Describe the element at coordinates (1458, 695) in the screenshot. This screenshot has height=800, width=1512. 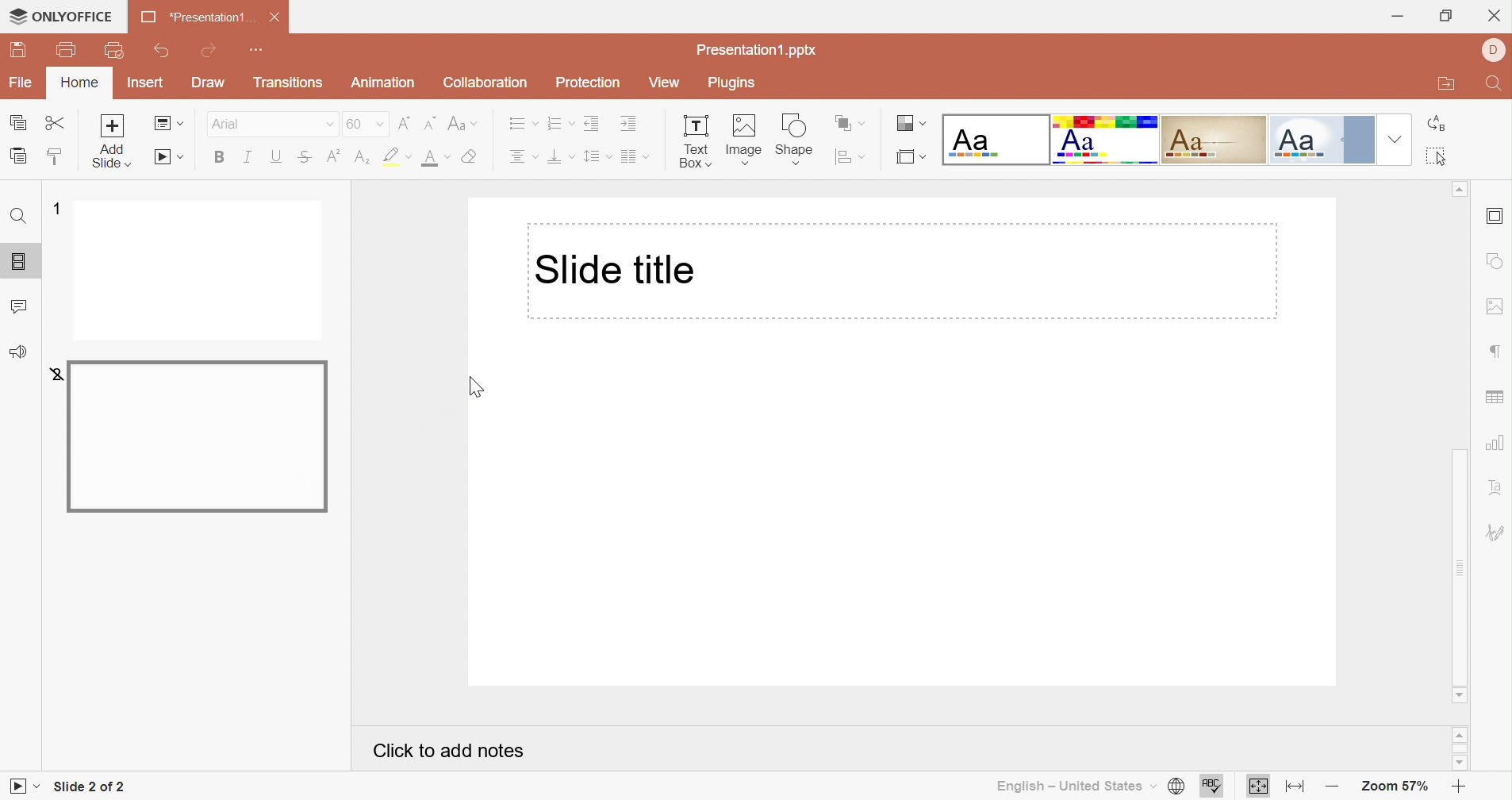
I see `Scroll Down` at that location.